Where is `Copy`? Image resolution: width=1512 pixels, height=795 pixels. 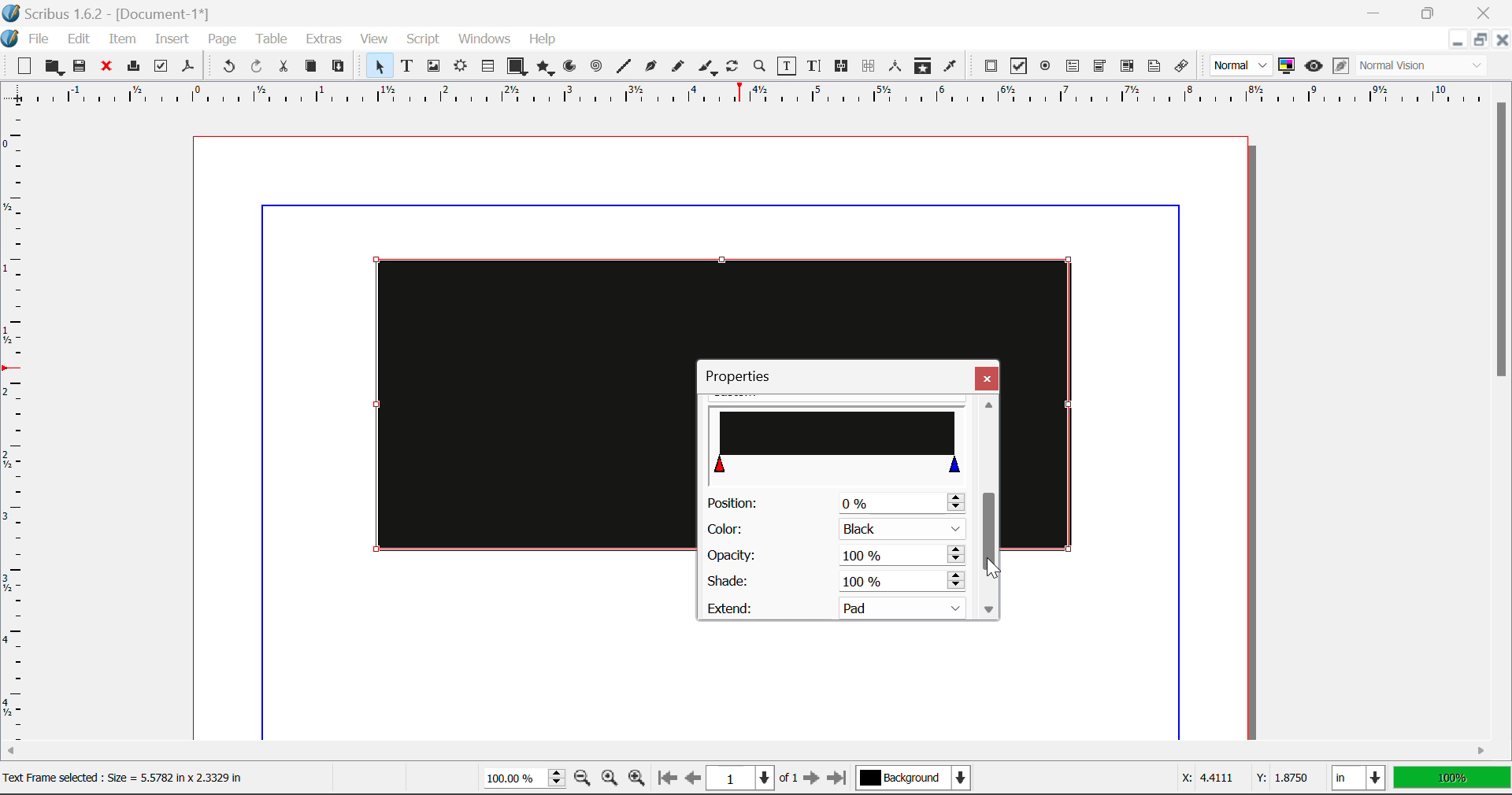
Copy is located at coordinates (312, 66).